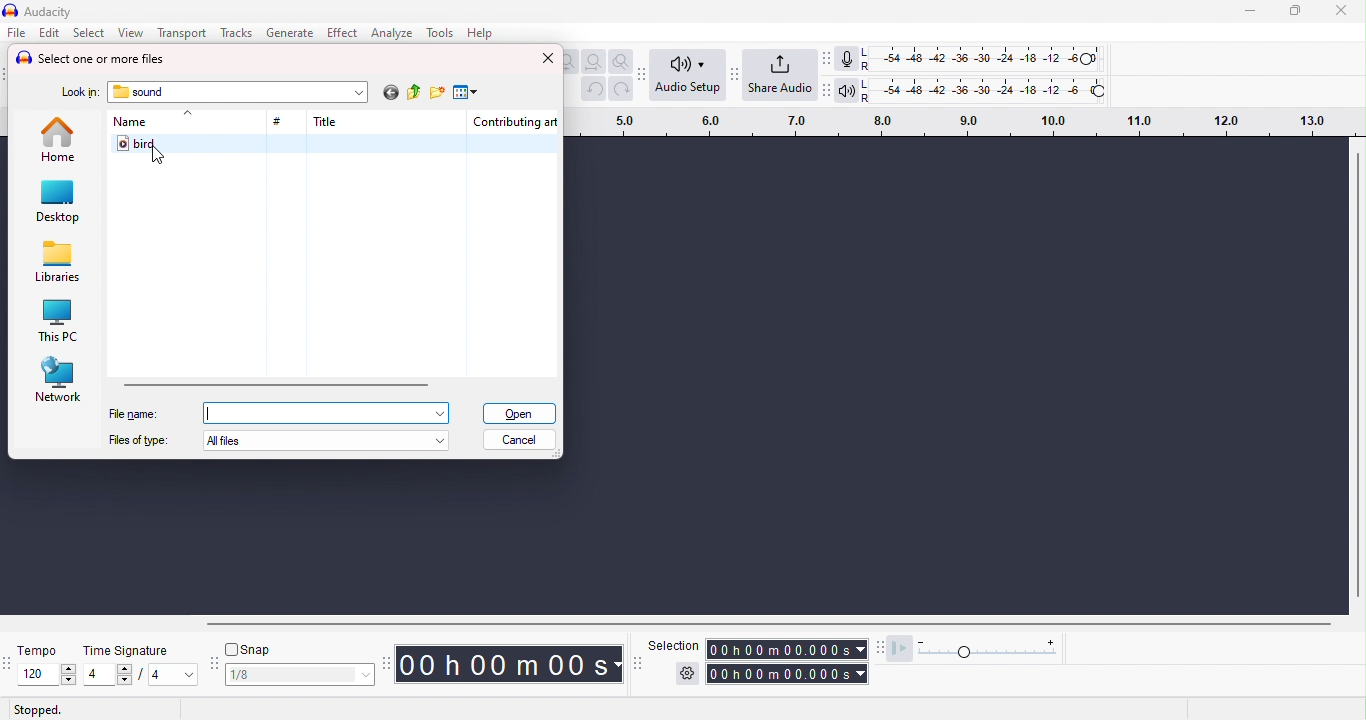 Image resolution: width=1366 pixels, height=720 pixels. Describe the element at coordinates (43, 12) in the screenshot. I see `title` at that location.